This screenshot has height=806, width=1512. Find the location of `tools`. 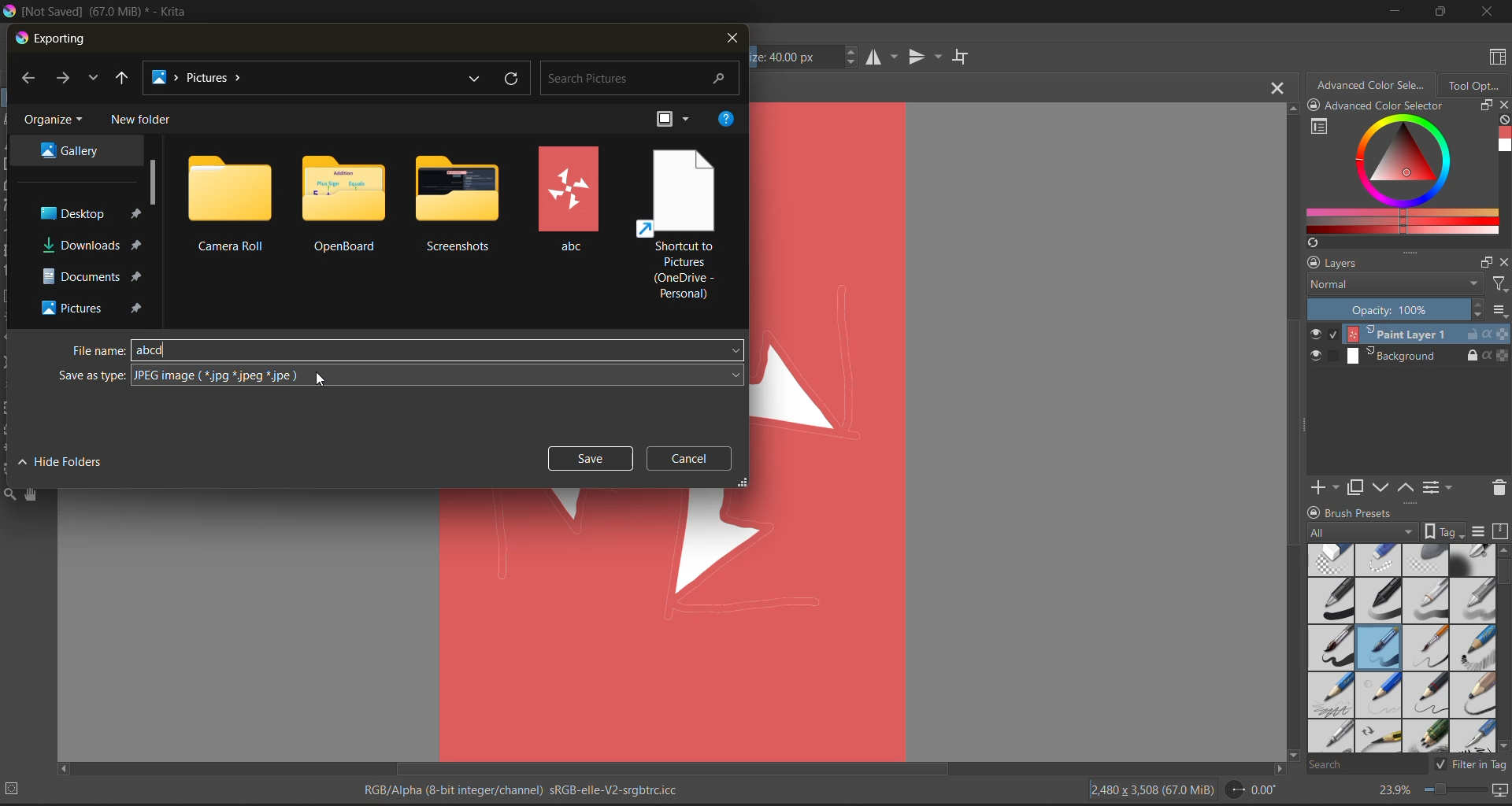

tools is located at coordinates (9, 493).